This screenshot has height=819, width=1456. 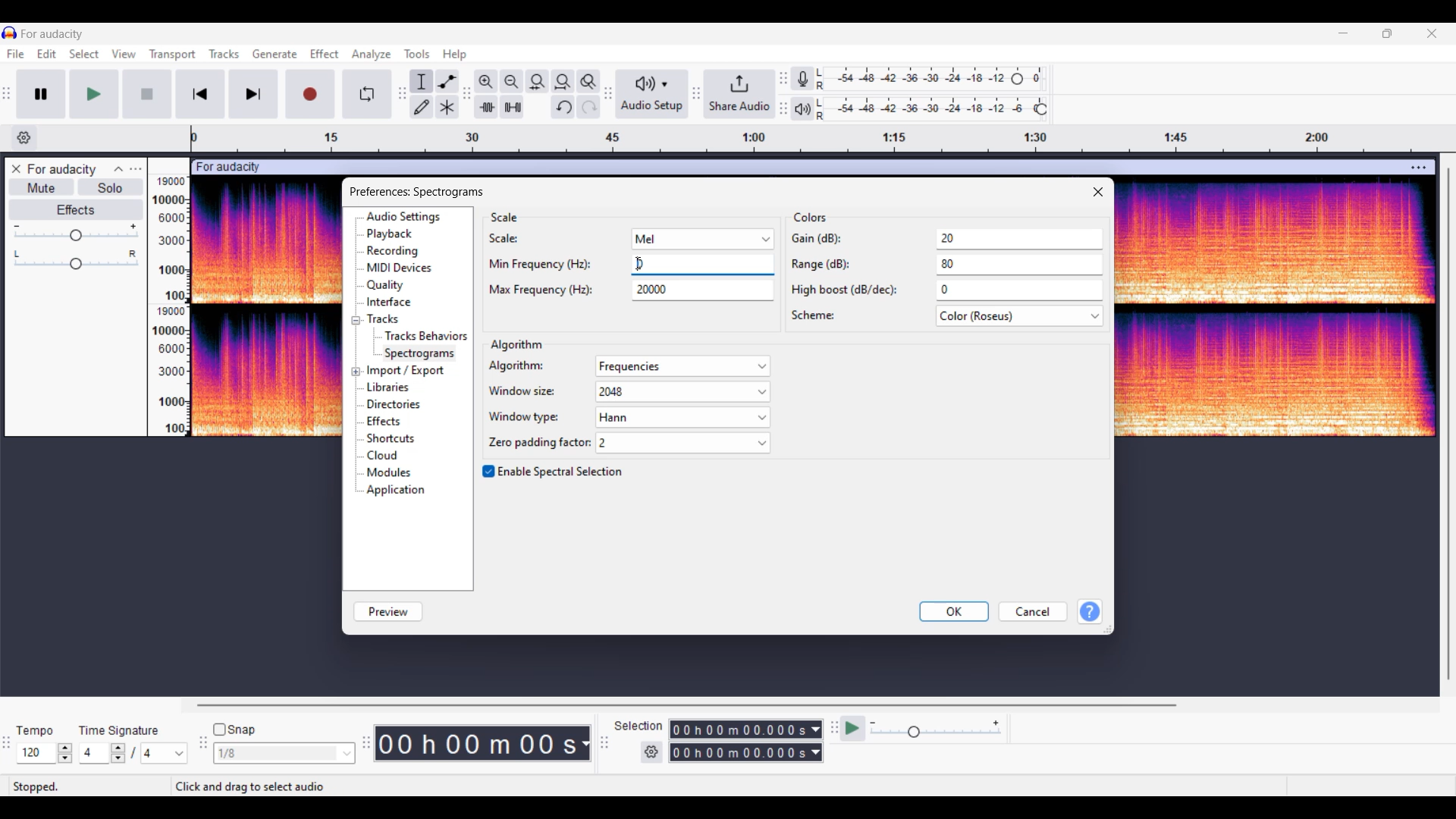 What do you see at coordinates (173, 55) in the screenshot?
I see `Transport menu` at bounding box center [173, 55].